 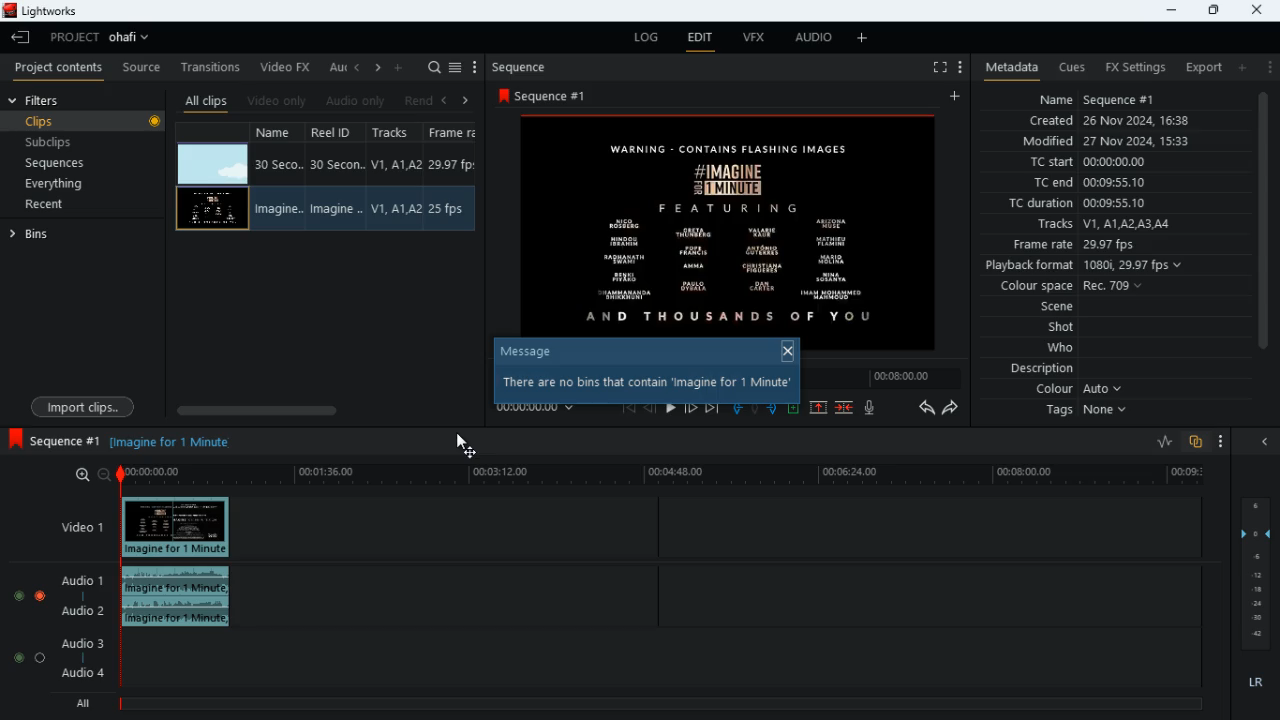 What do you see at coordinates (1157, 442) in the screenshot?
I see `rate` at bounding box center [1157, 442].